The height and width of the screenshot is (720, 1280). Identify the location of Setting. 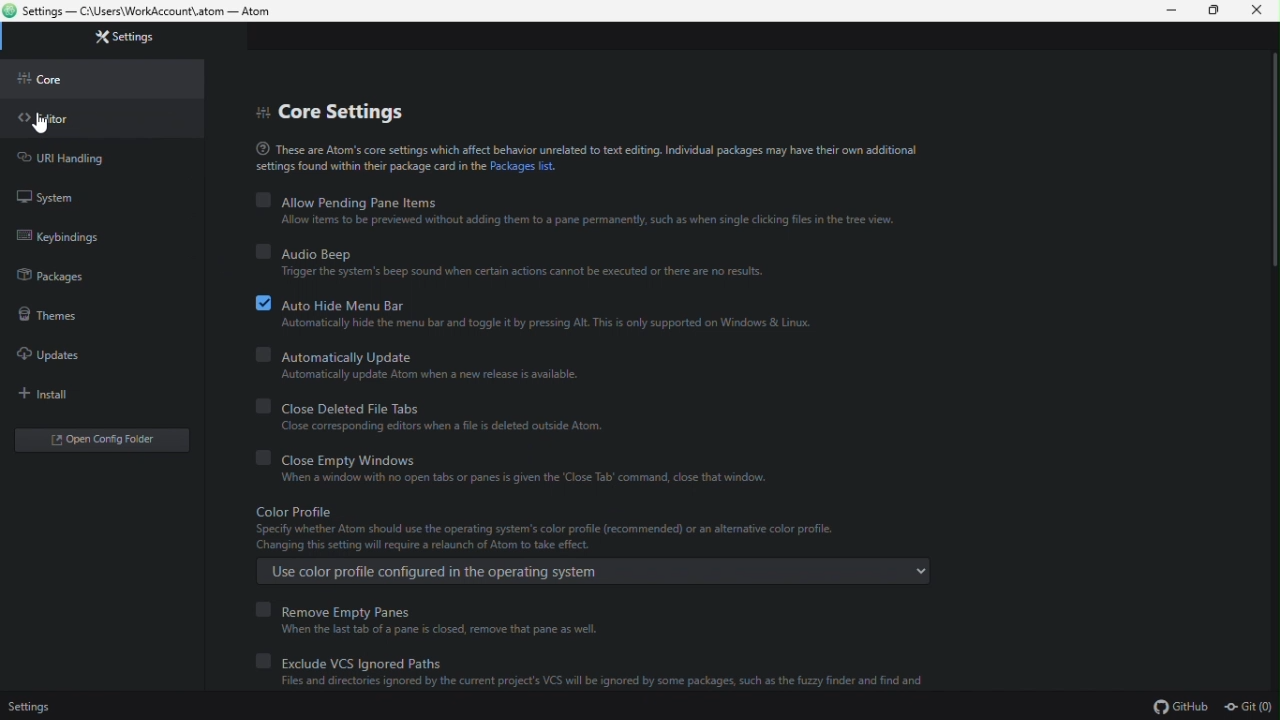
(33, 704).